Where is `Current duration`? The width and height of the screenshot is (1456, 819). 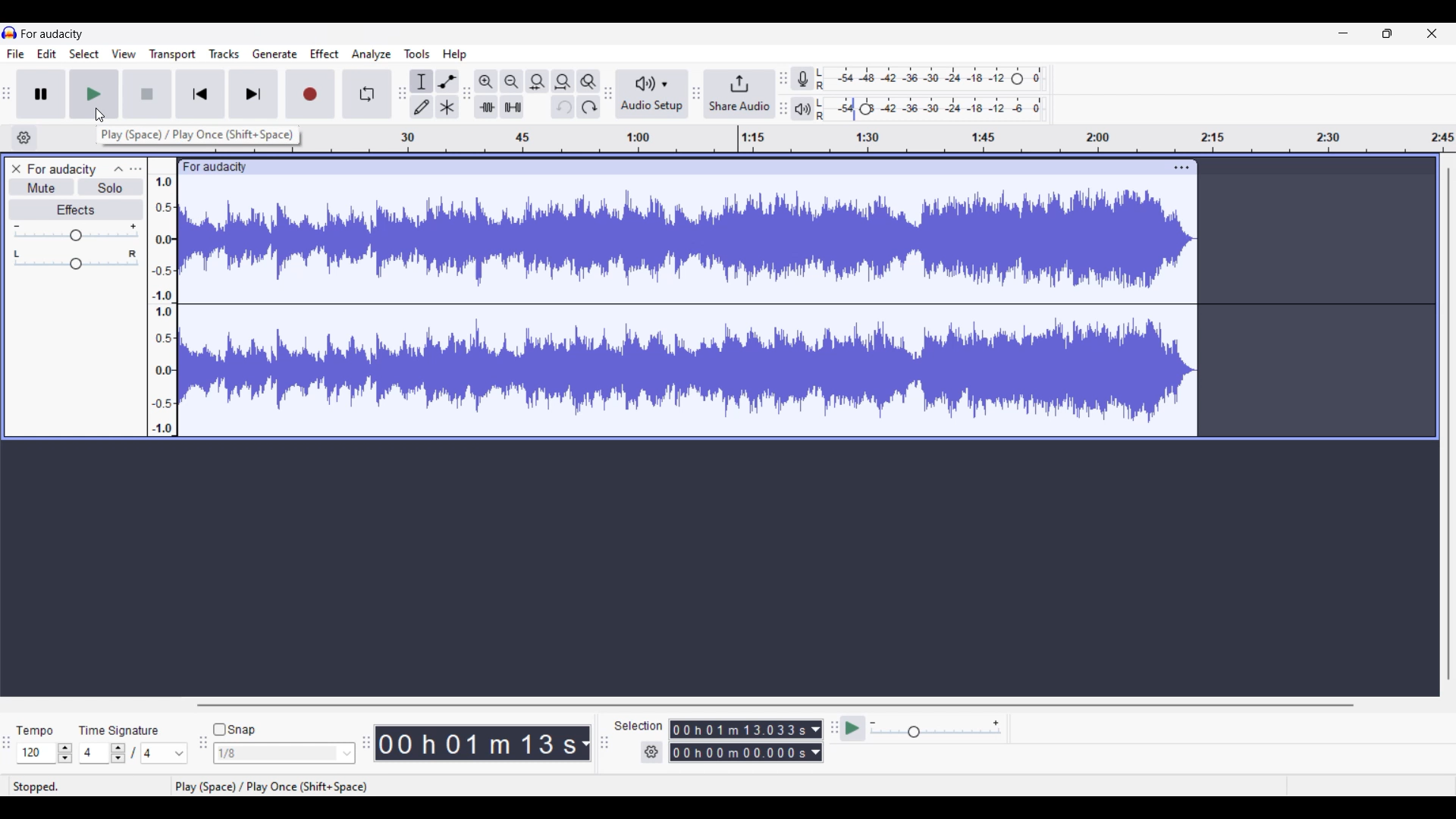
Current duration is located at coordinates (475, 743).